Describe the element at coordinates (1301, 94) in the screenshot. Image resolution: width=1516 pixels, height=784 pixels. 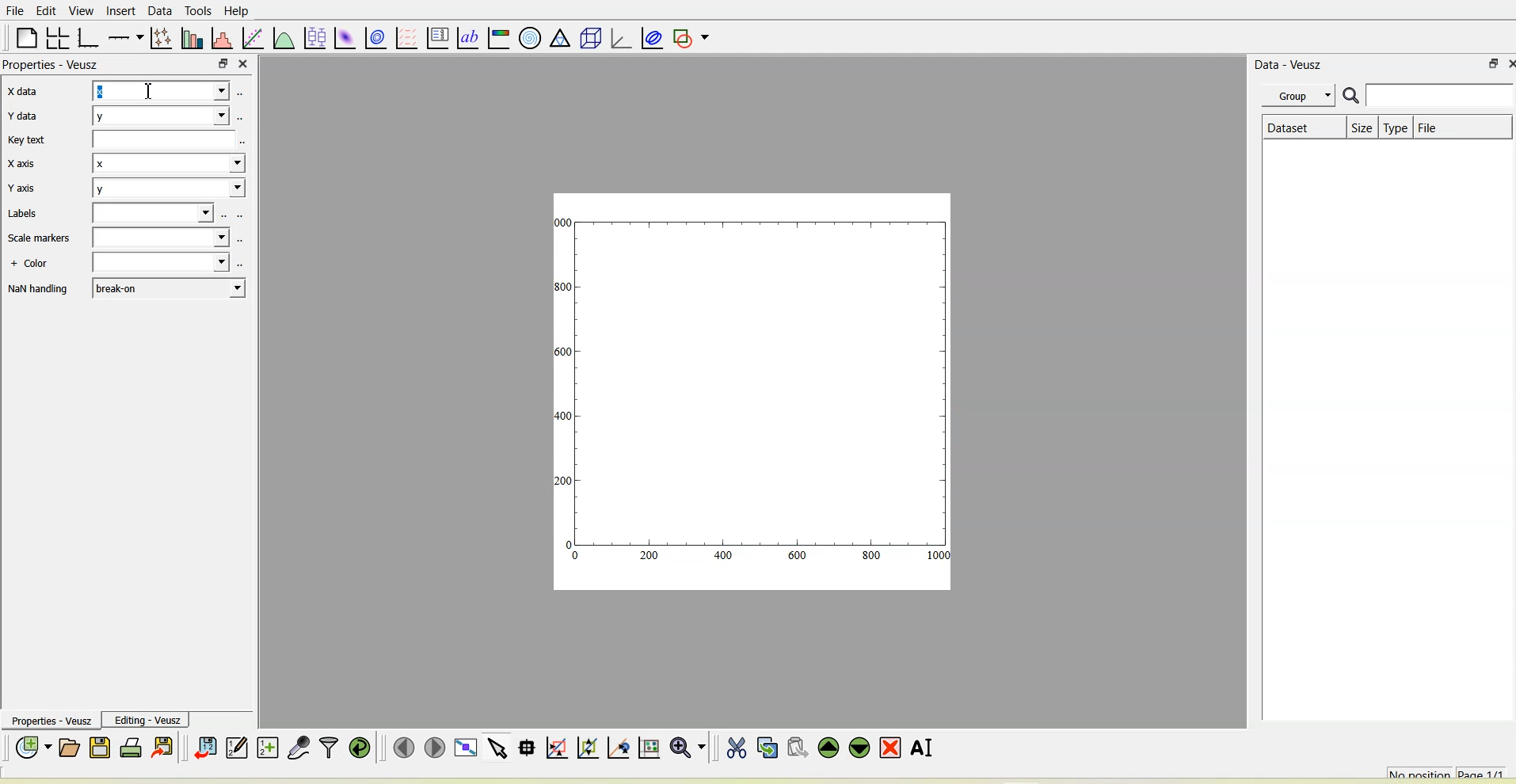
I see `Group` at that location.